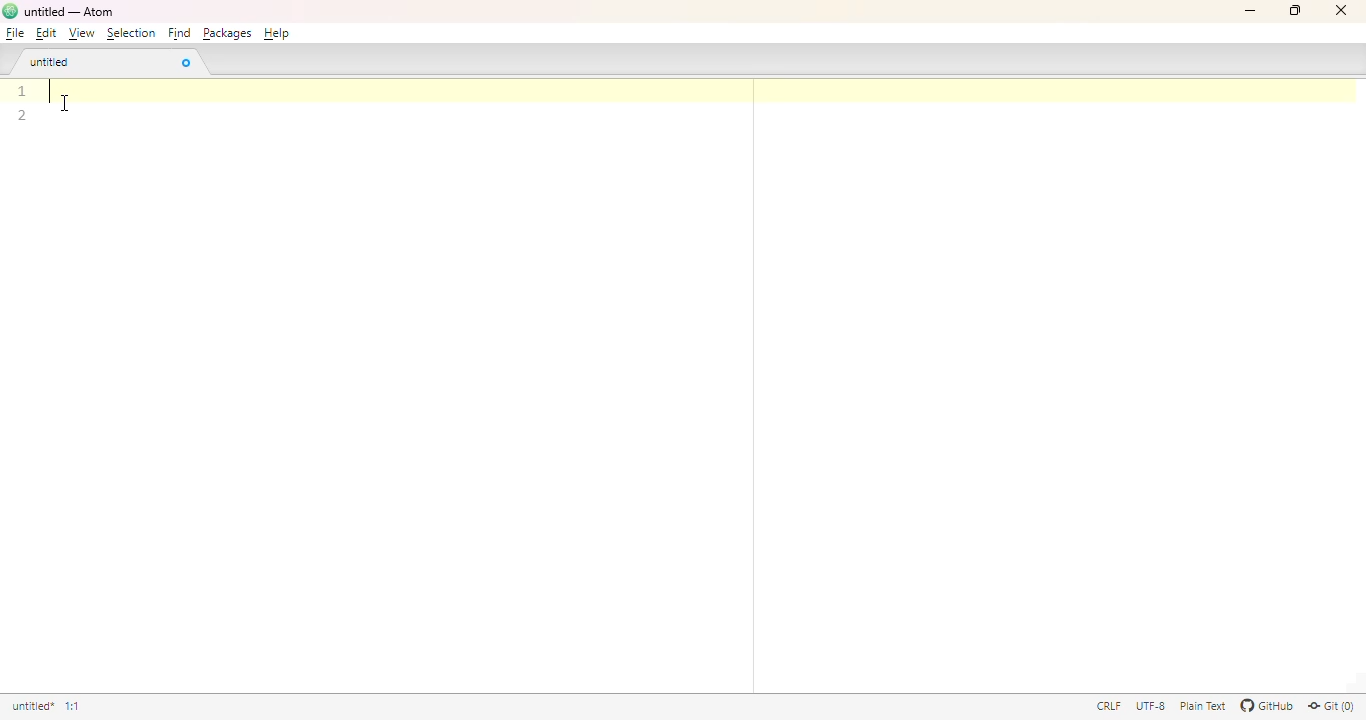  What do you see at coordinates (81, 33) in the screenshot?
I see `view` at bounding box center [81, 33].